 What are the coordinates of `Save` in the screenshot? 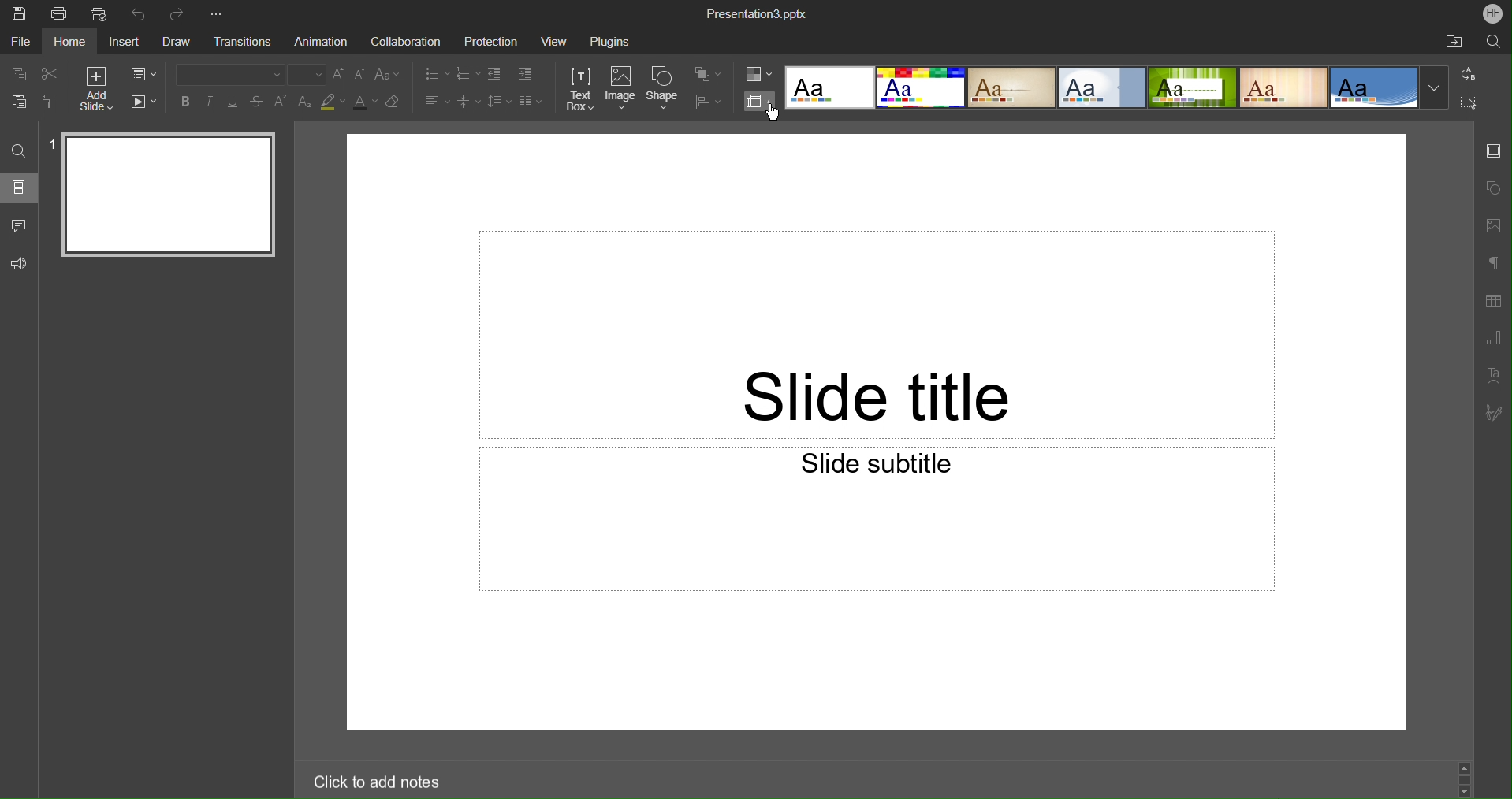 It's located at (20, 13).